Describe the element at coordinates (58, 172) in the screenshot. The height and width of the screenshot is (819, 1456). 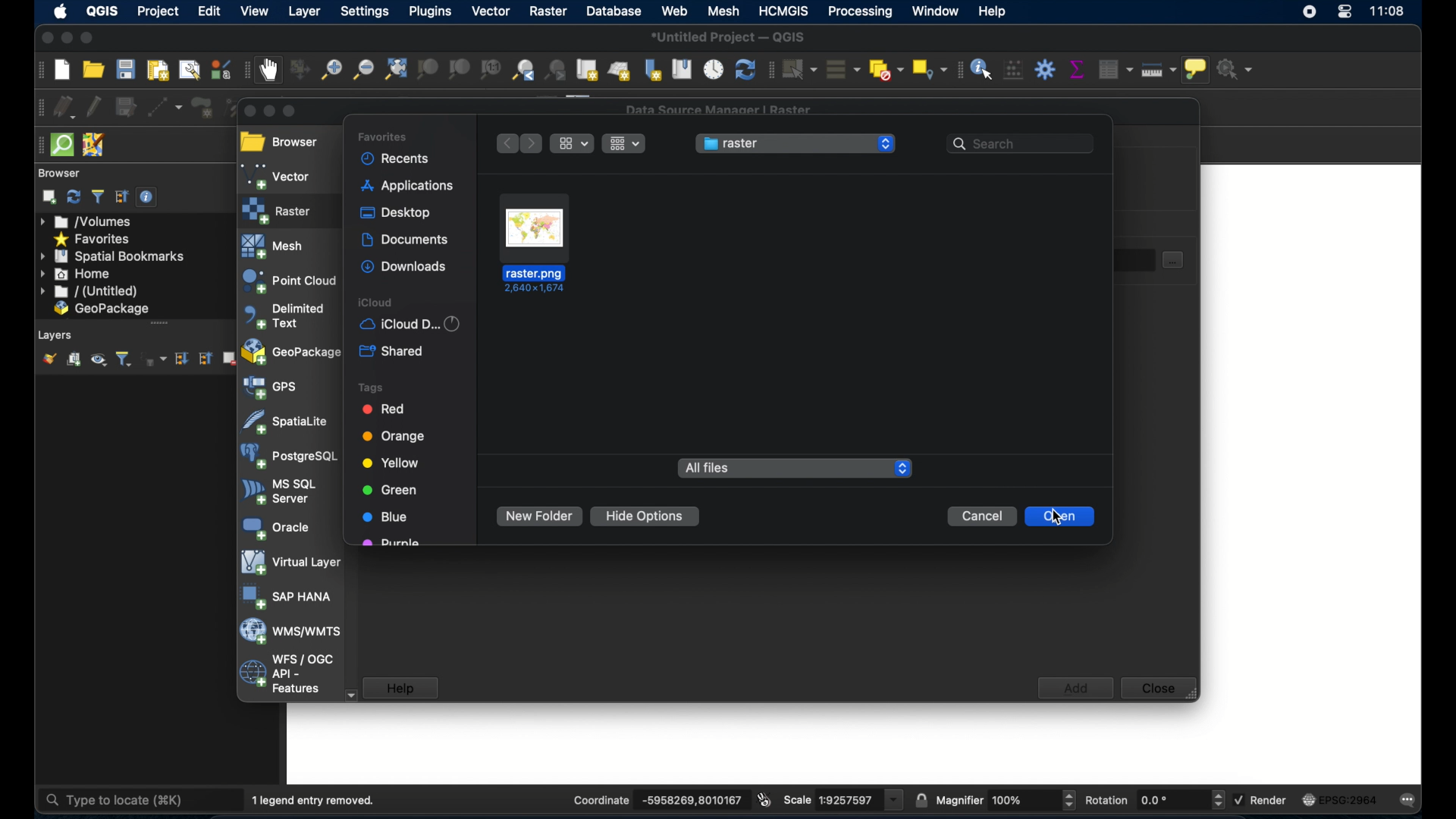
I see `browser` at that location.